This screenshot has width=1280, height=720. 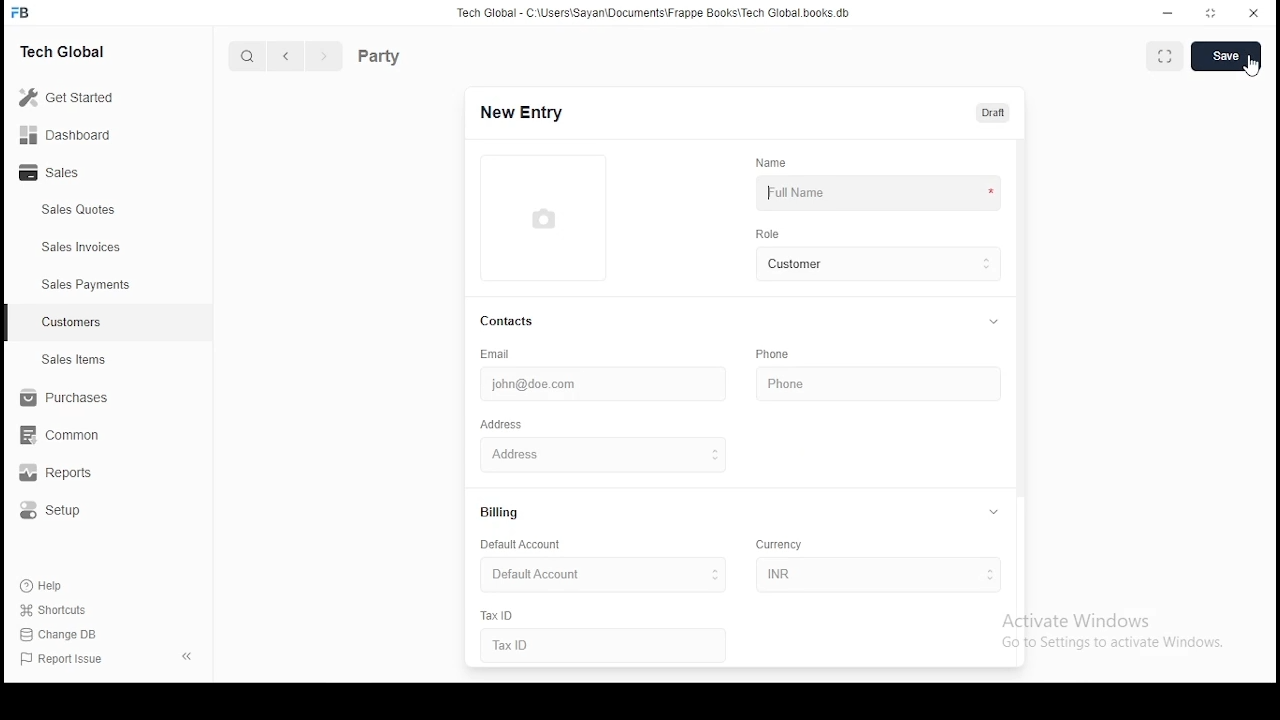 I want to click on role, so click(x=766, y=234).